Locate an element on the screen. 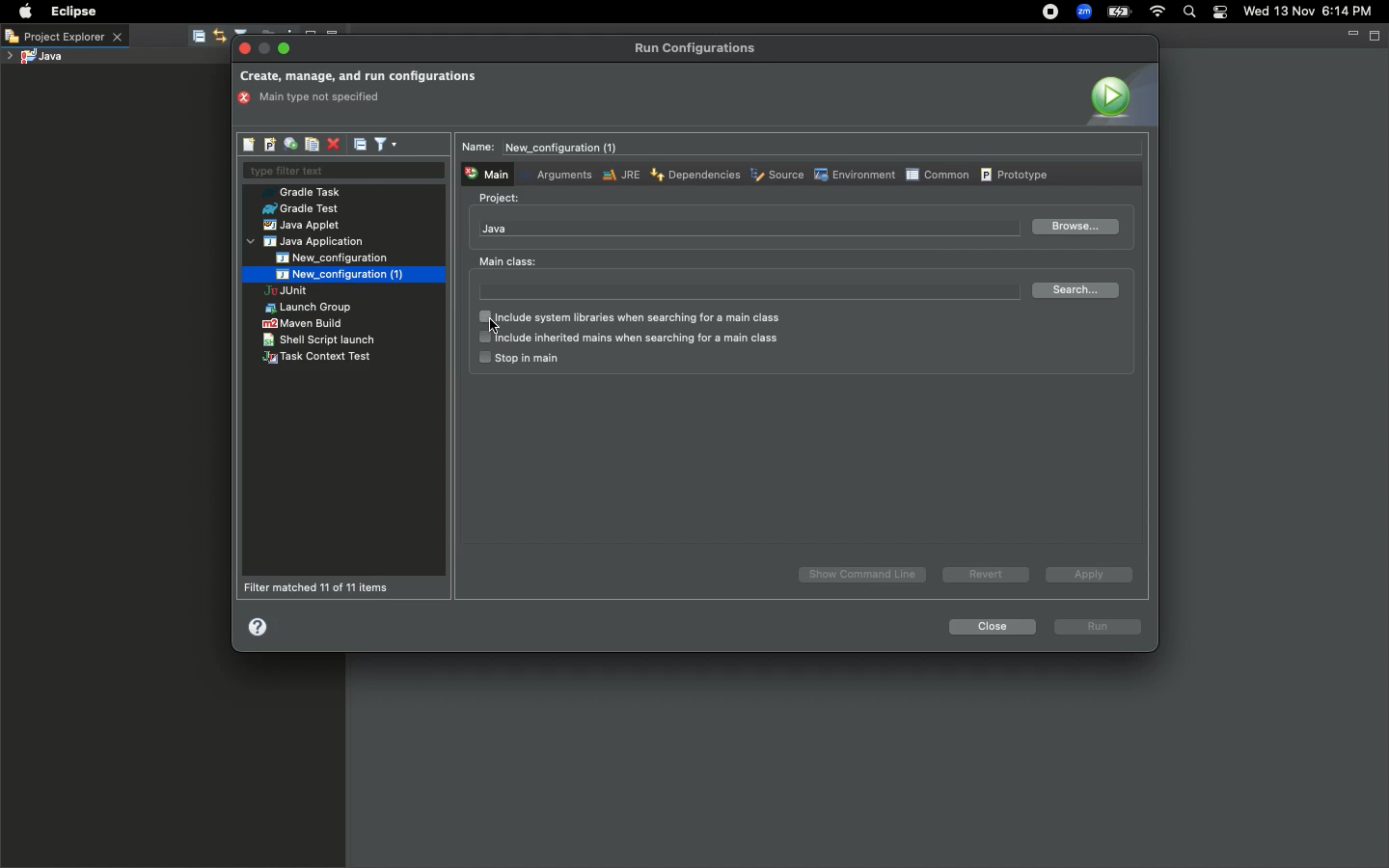 Image resolution: width=1389 pixels, height=868 pixels. JUnit is located at coordinates (302, 292).